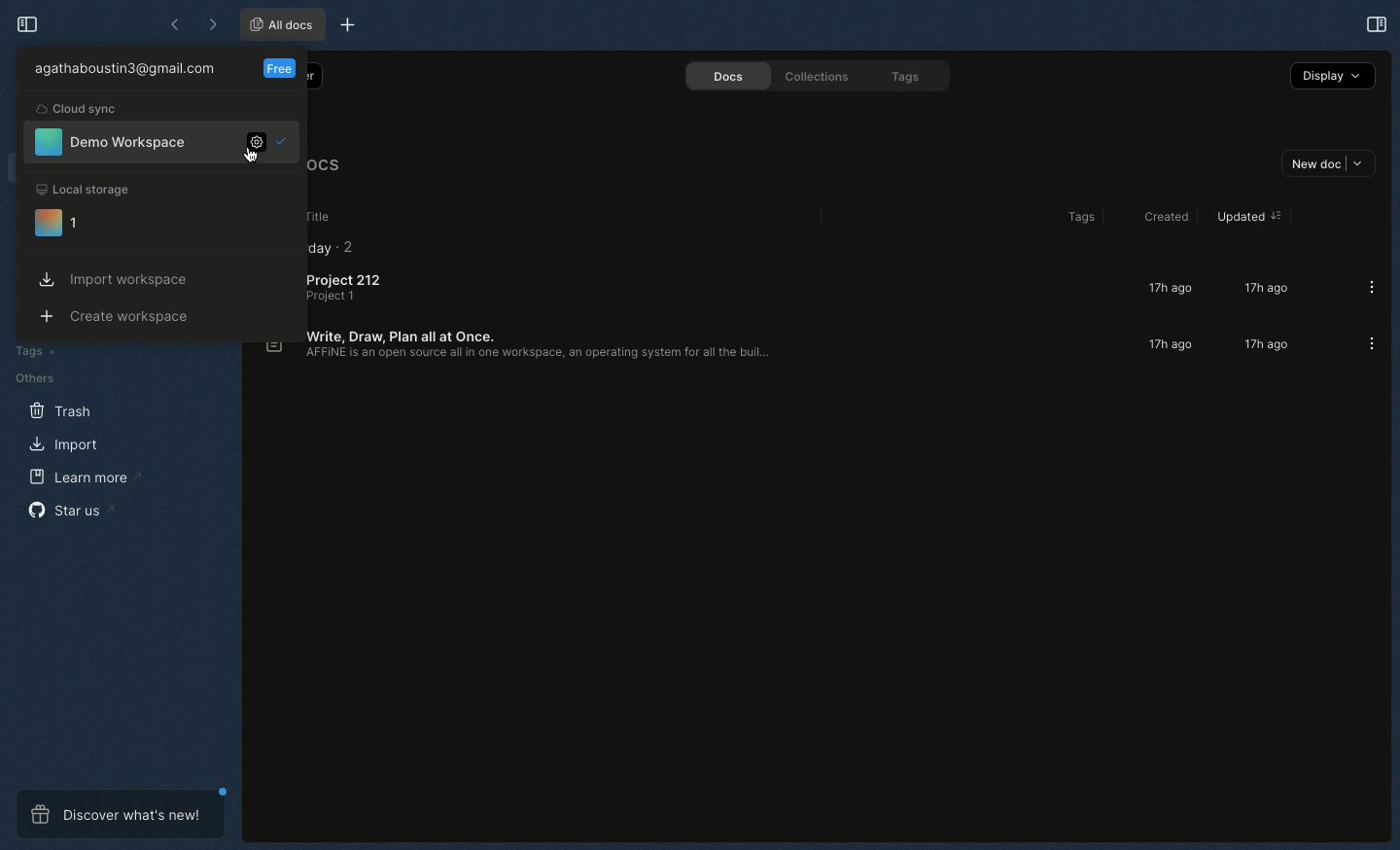 The image size is (1400, 850). Describe the element at coordinates (357, 248) in the screenshot. I see `2 items` at that location.